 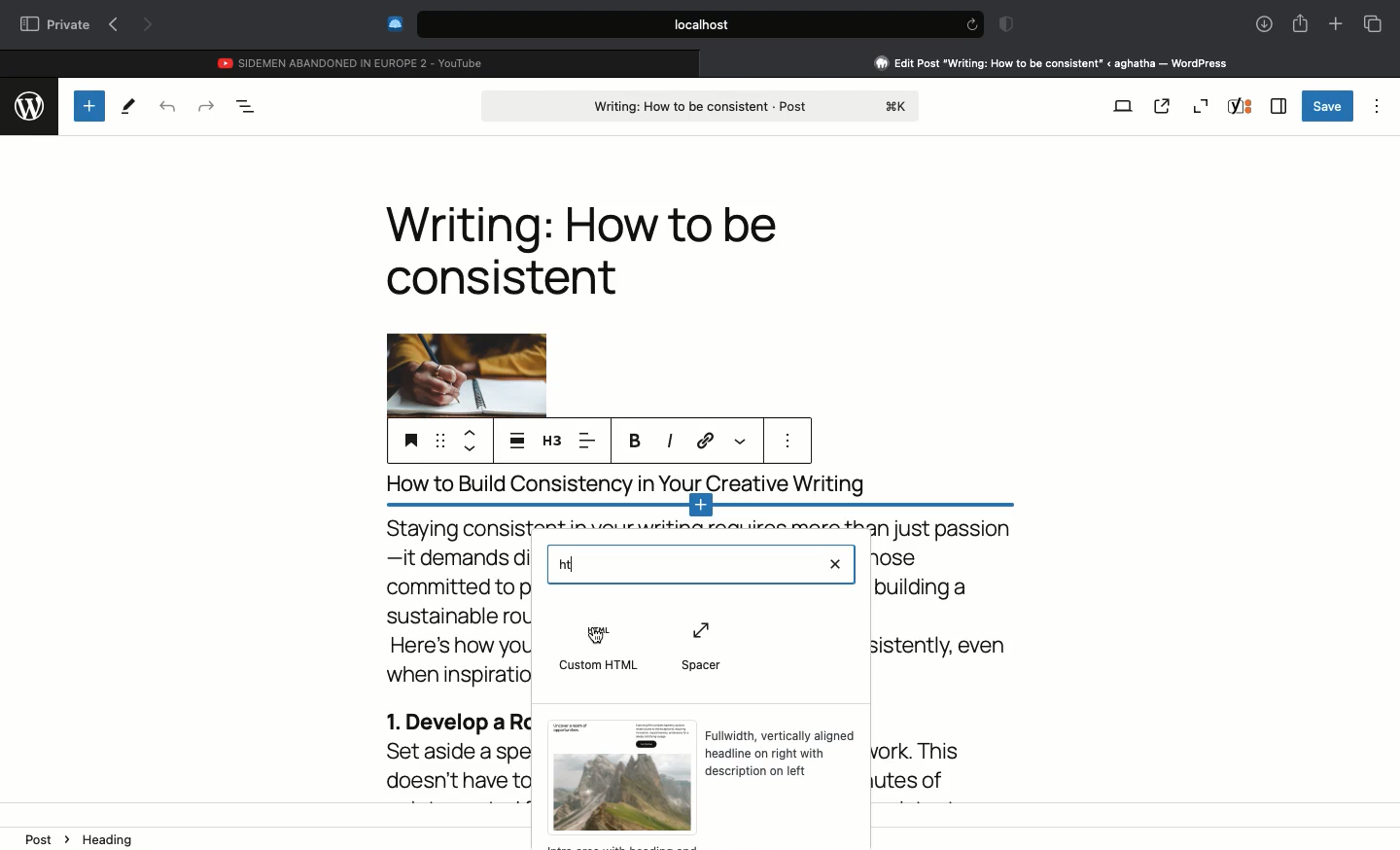 I want to click on Next page, so click(x=150, y=26).